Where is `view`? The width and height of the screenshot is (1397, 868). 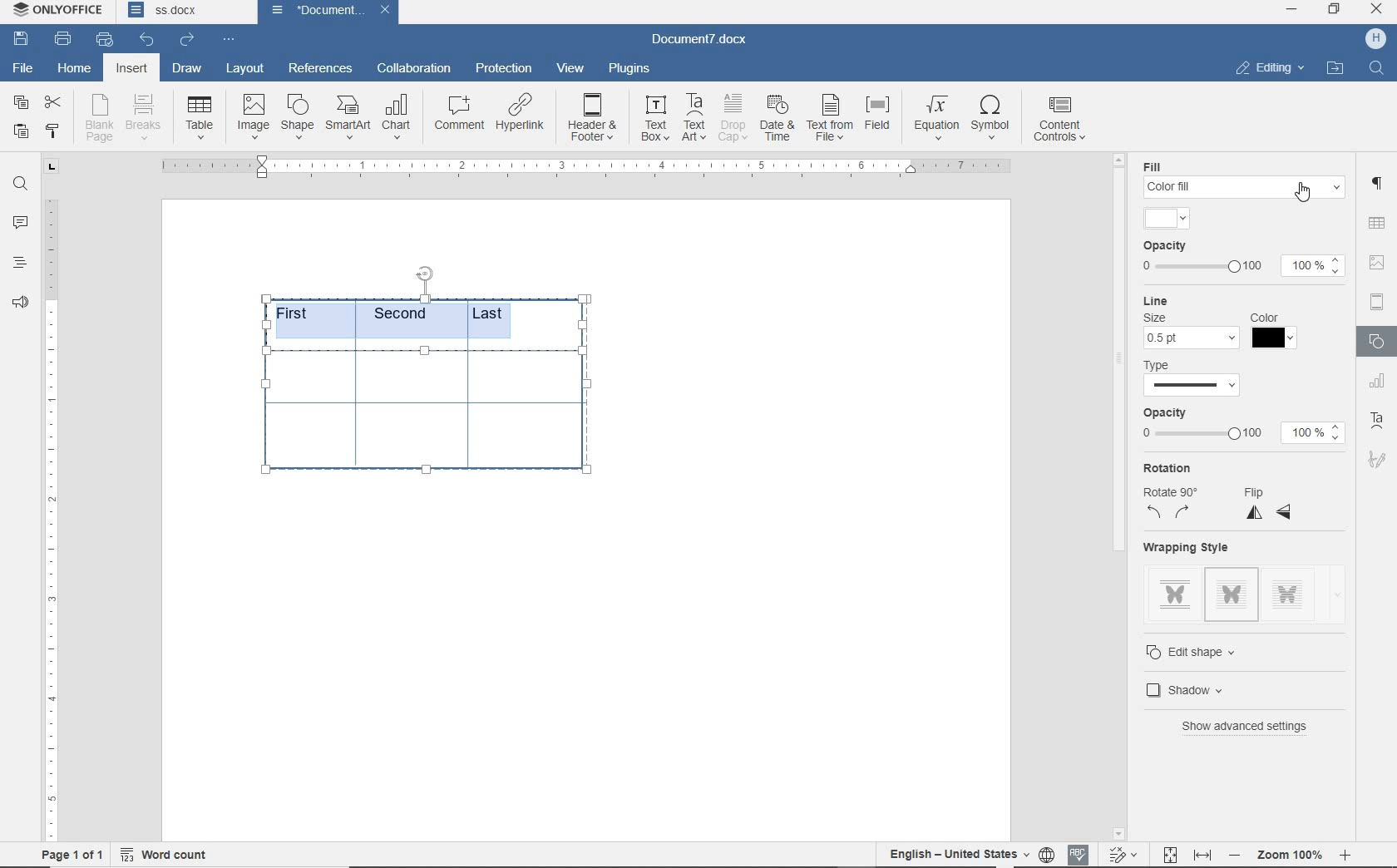 view is located at coordinates (571, 69).